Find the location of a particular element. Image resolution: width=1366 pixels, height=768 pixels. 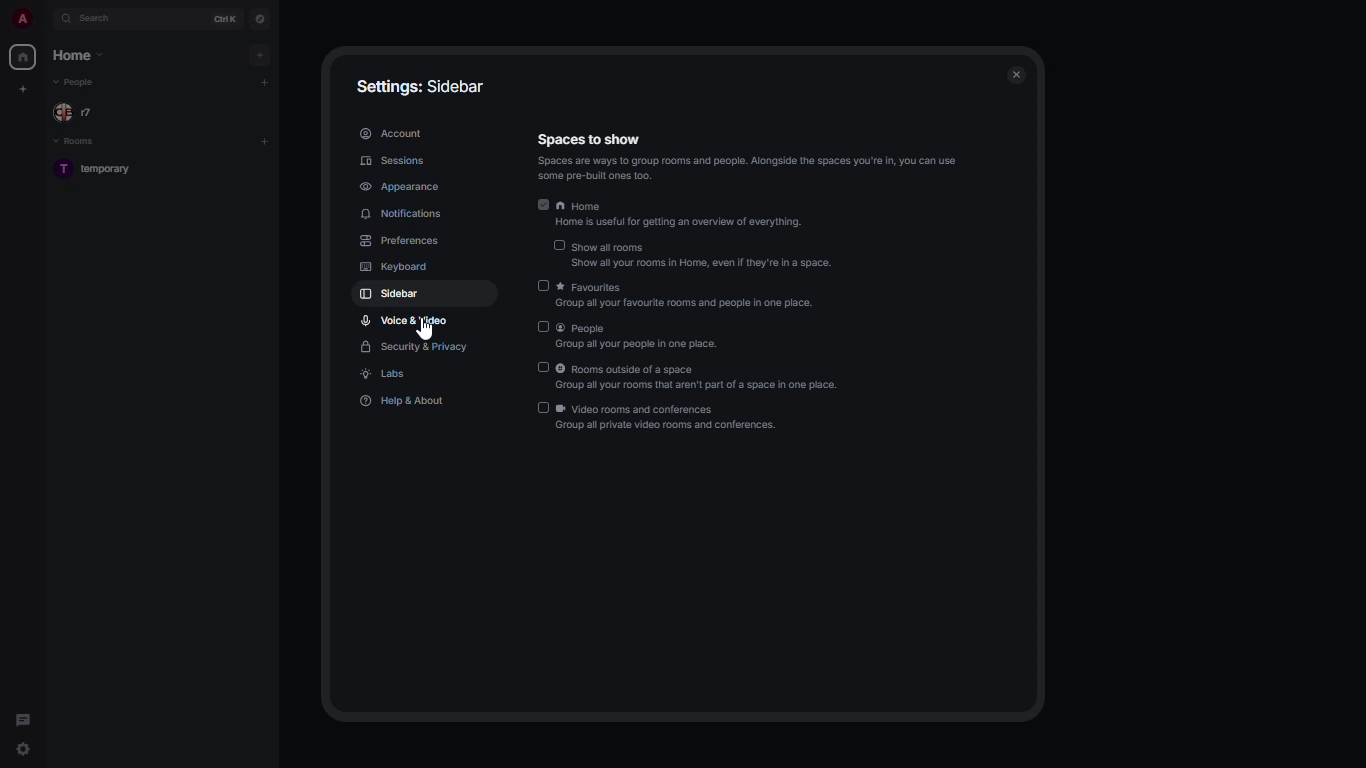

home is located at coordinates (24, 55).